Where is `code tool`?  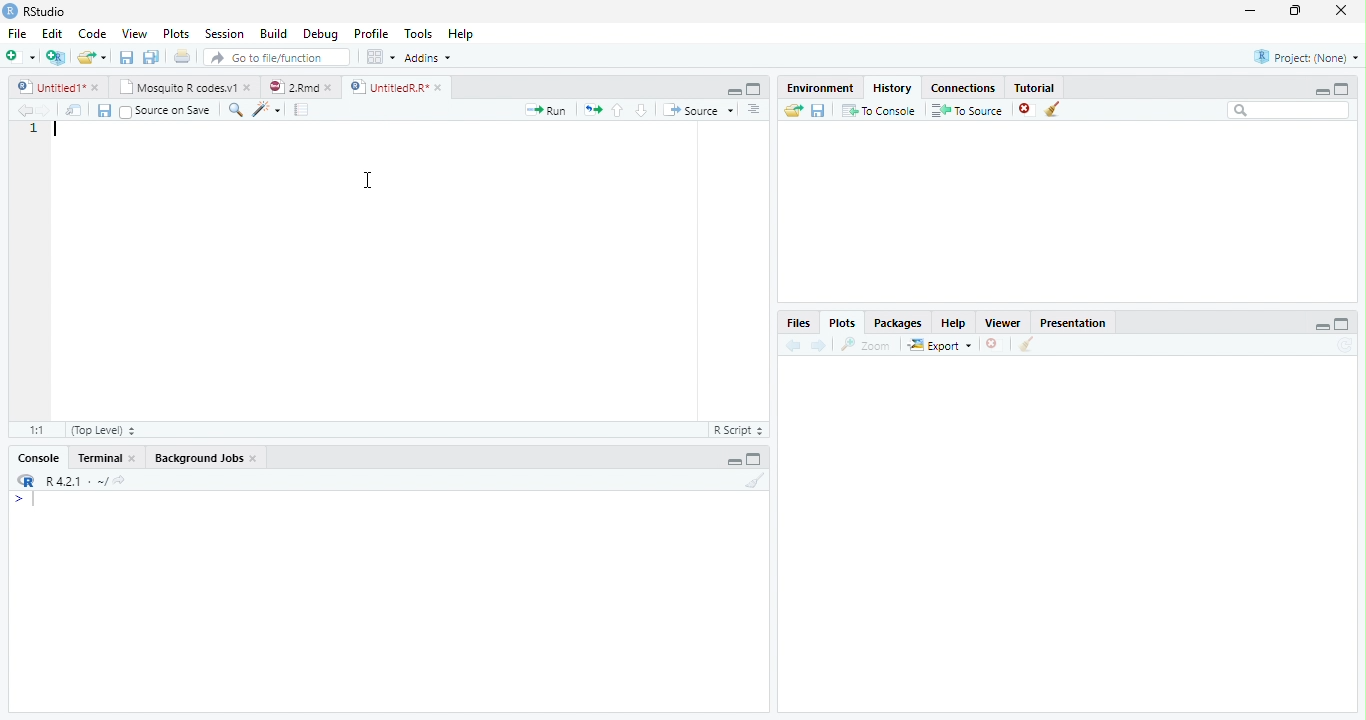
code tool is located at coordinates (266, 111).